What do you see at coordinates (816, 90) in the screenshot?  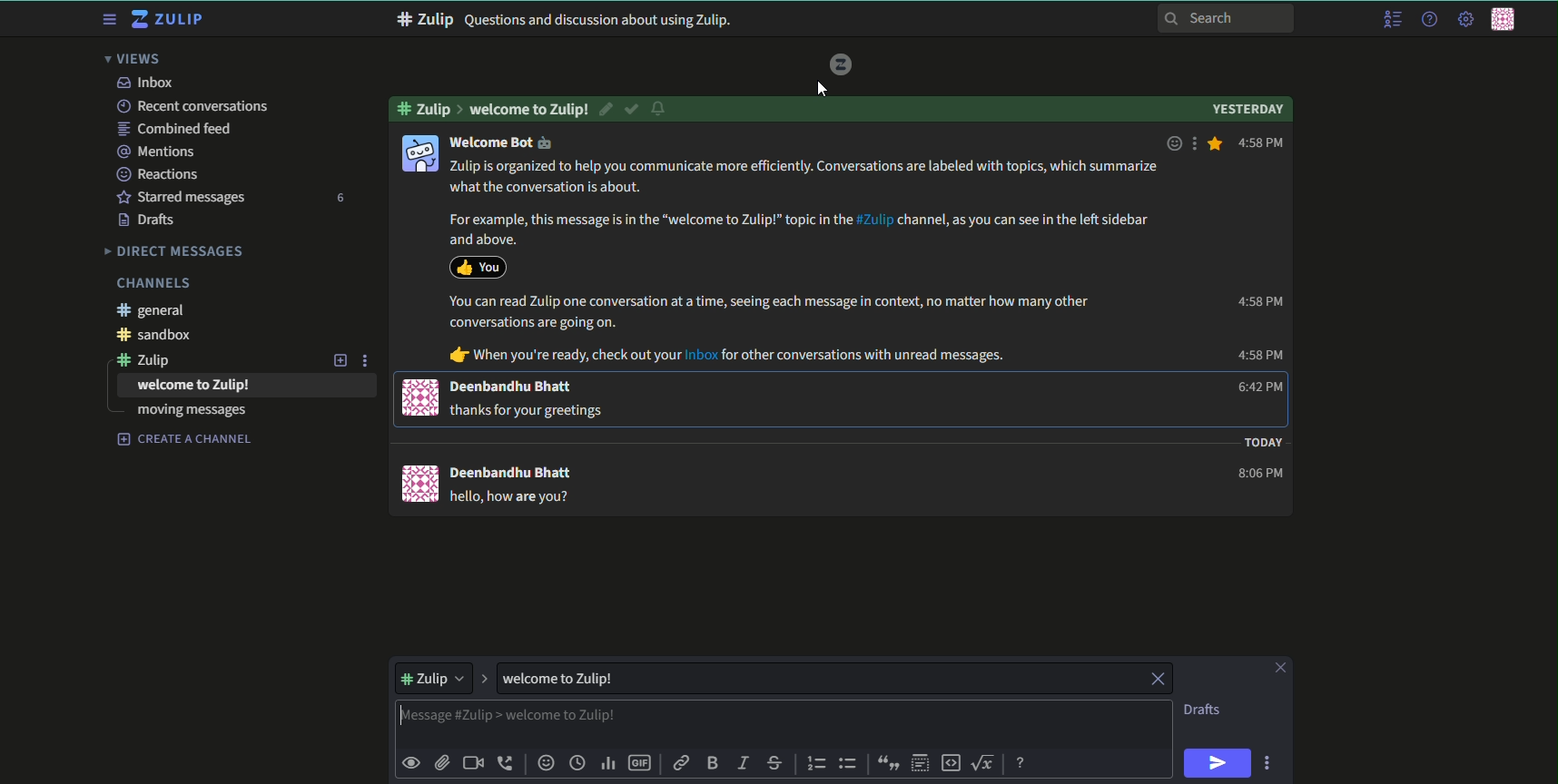 I see `cursor` at bounding box center [816, 90].